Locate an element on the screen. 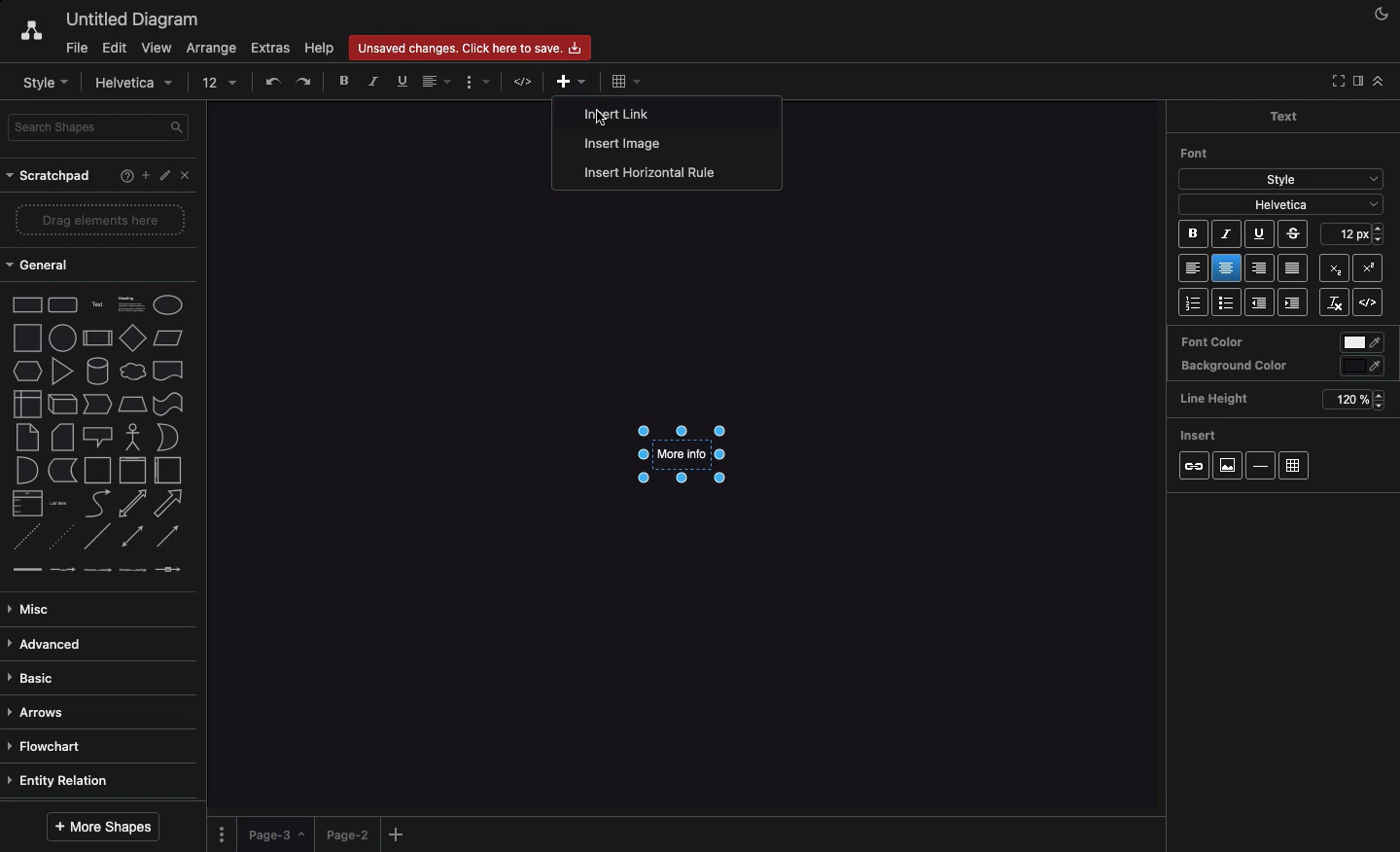  Help is located at coordinates (122, 178).